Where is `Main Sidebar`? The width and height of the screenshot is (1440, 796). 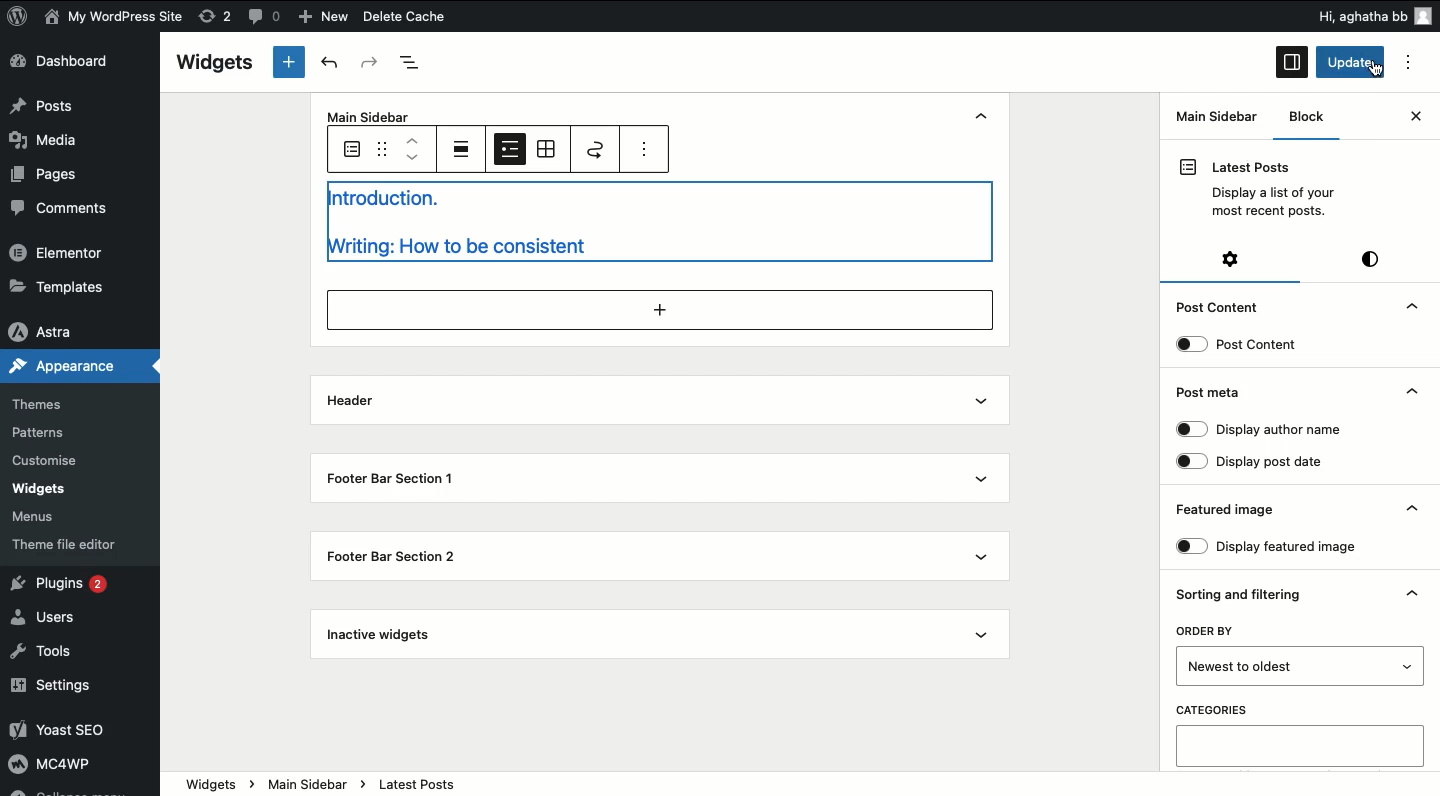 Main Sidebar is located at coordinates (376, 113).